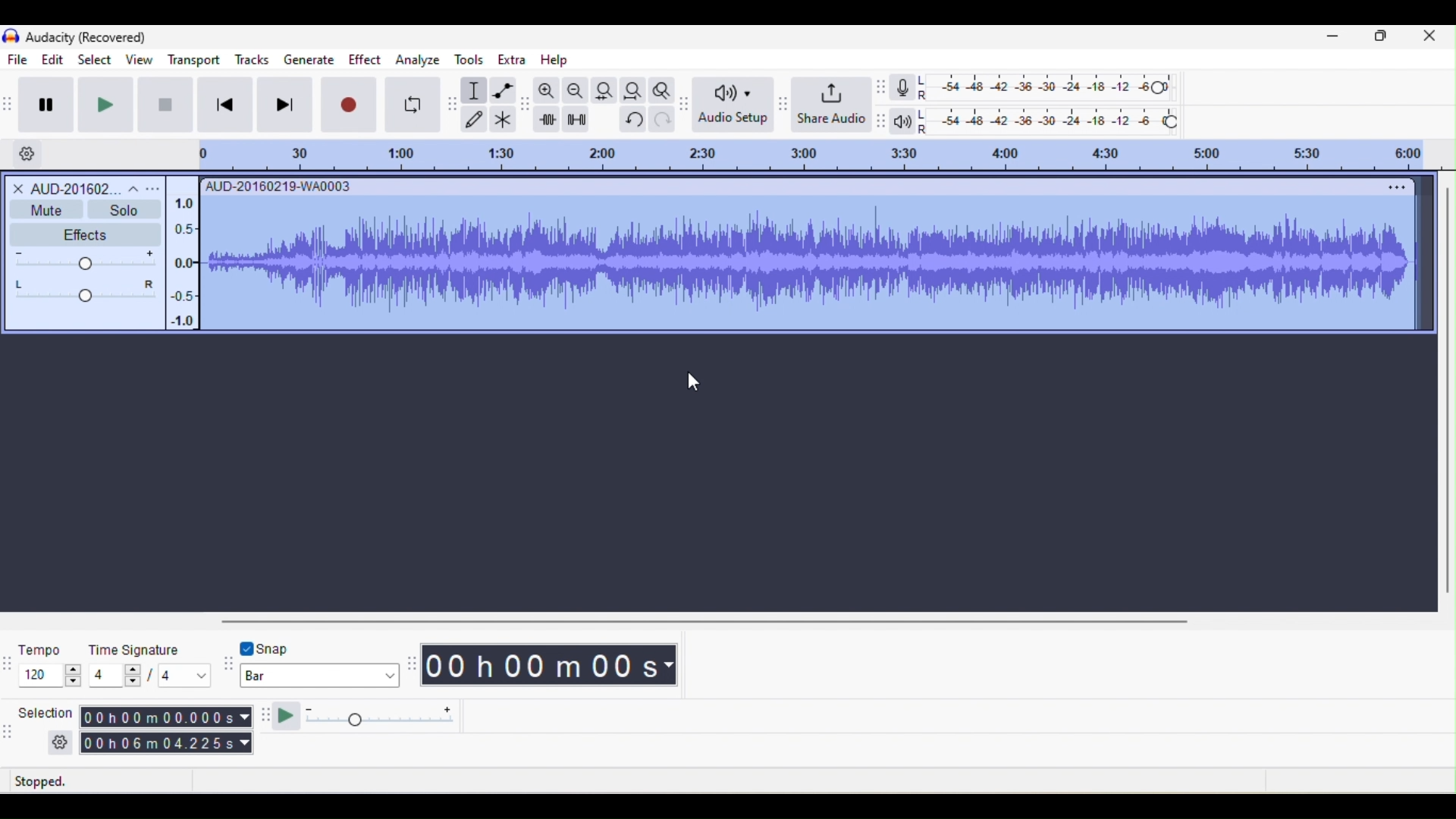 Image resolution: width=1456 pixels, height=819 pixels. I want to click on audacity transport toolbar, so click(9, 103).